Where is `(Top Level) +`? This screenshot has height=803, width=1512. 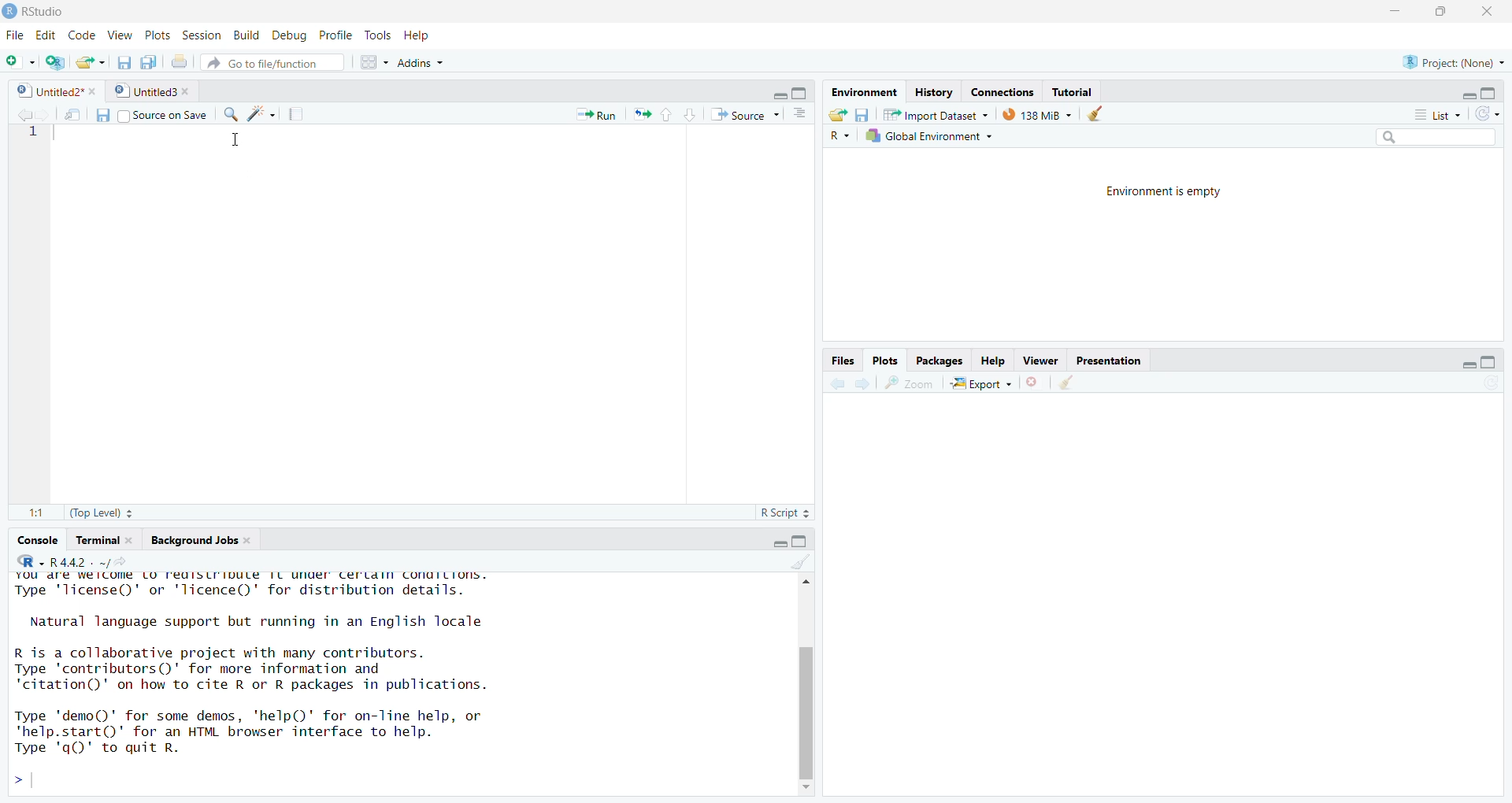
(Top Level) + is located at coordinates (108, 512).